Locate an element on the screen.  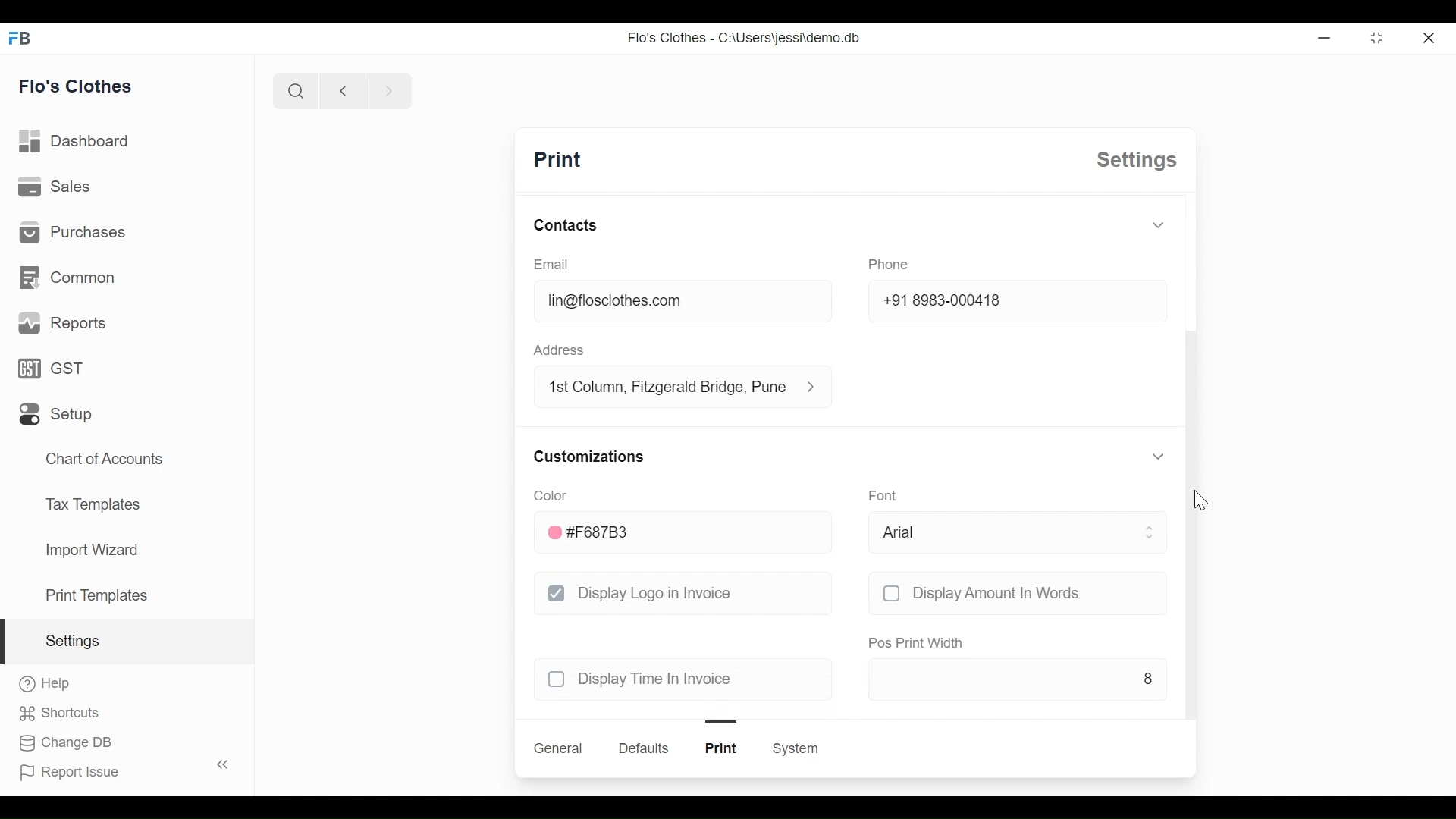
print is located at coordinates (722, 748).